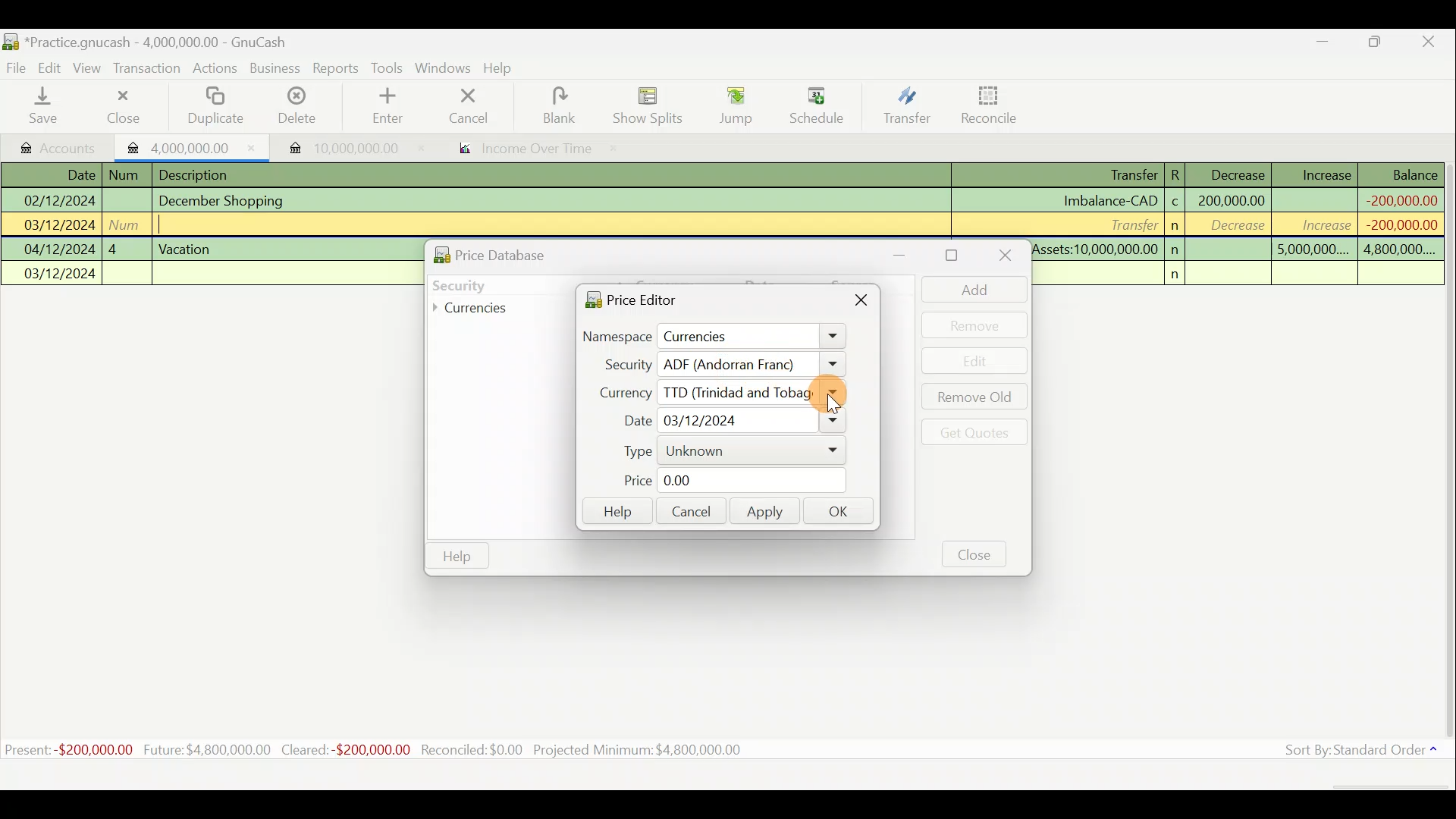 The height and width of the screenshot is (819, 1456). I want to click on Business, so click(276, 68).